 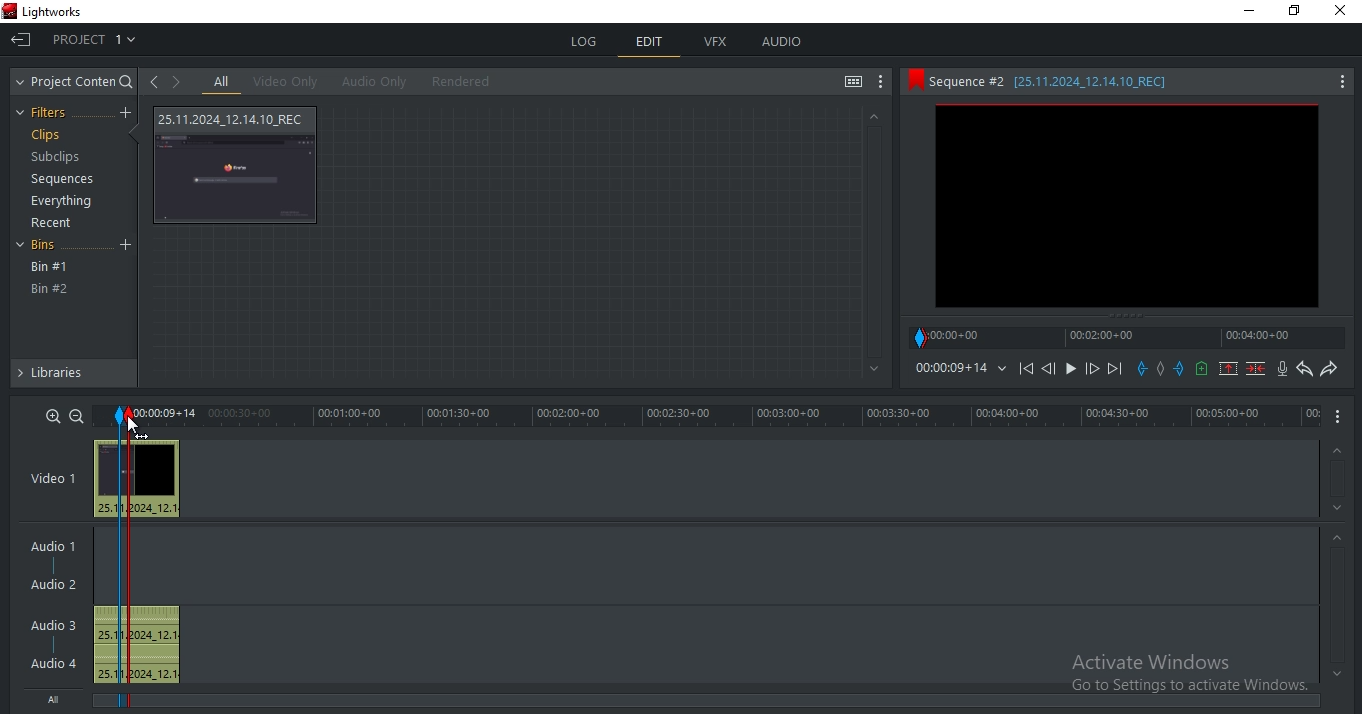 What do you see at coordinates (96, 37) in the screenshot?
I see `project 1` at bounding box center [96, 37].